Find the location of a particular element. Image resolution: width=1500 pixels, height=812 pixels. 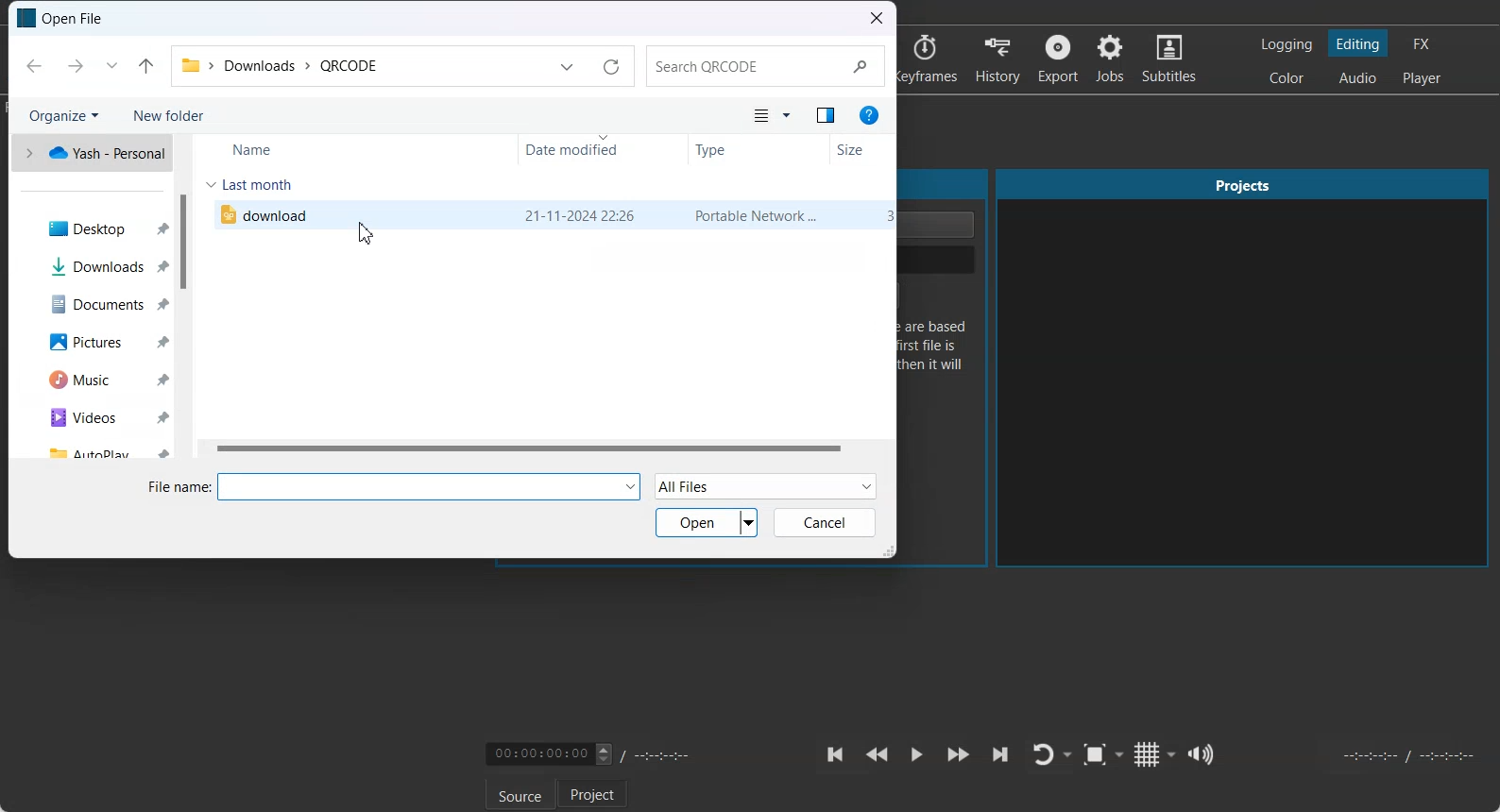

Project is located at coordinates (594, 793).